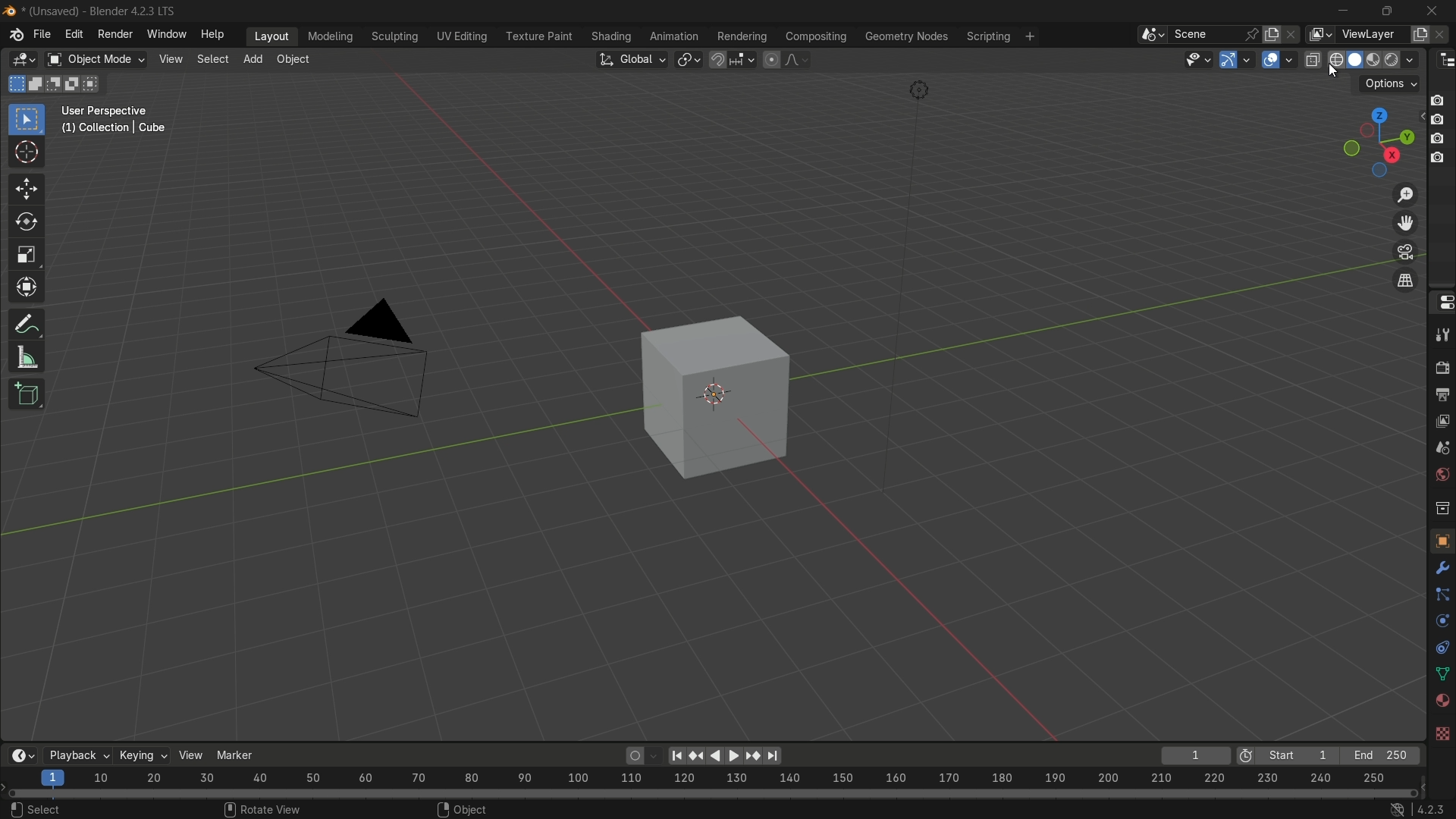  Describe the element at coordinates (1444, 34) in the screenshot. I see `remove view layer` at that location.